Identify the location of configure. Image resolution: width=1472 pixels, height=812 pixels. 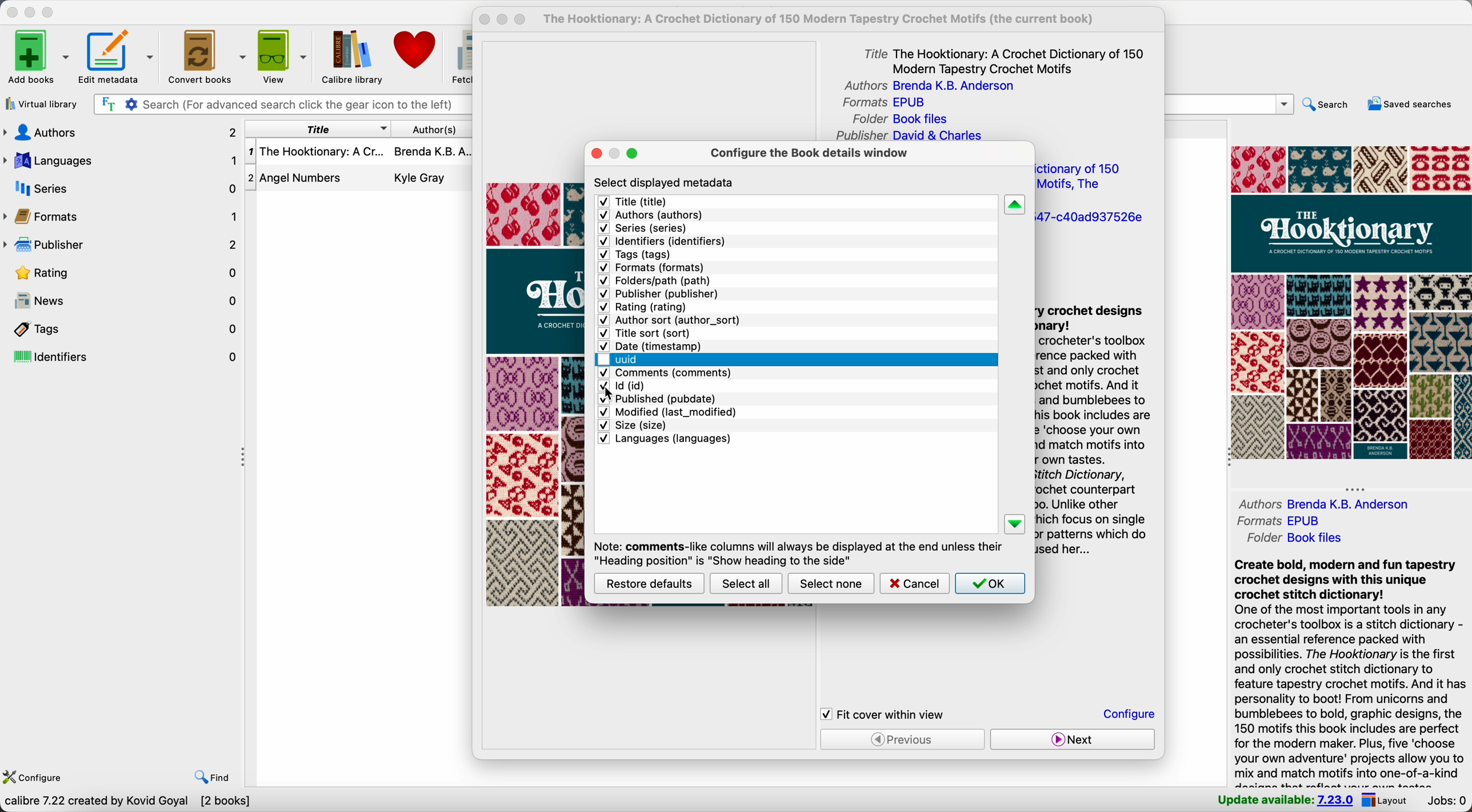
(32, 778).